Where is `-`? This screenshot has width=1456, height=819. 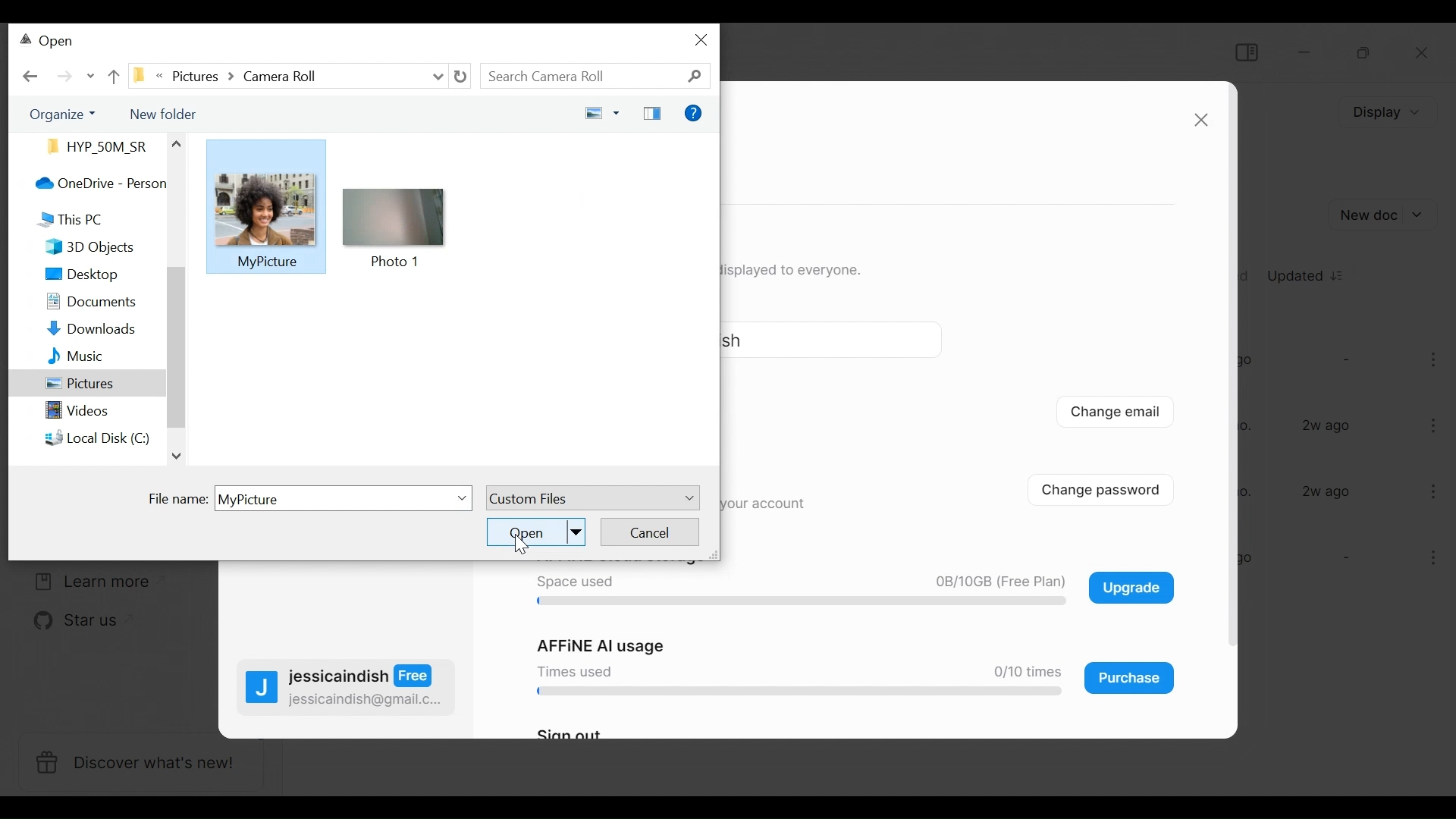
- is located at coordinates (1344, 559).